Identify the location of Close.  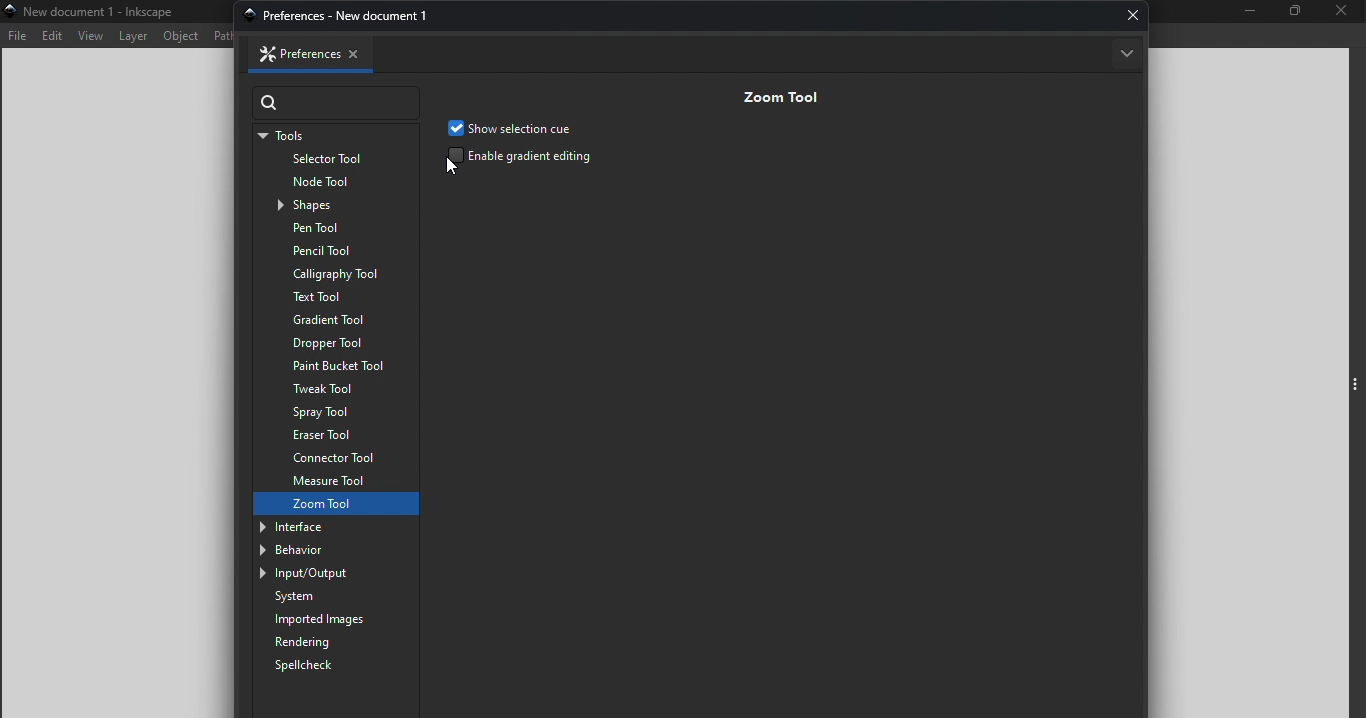
(1346, 12).